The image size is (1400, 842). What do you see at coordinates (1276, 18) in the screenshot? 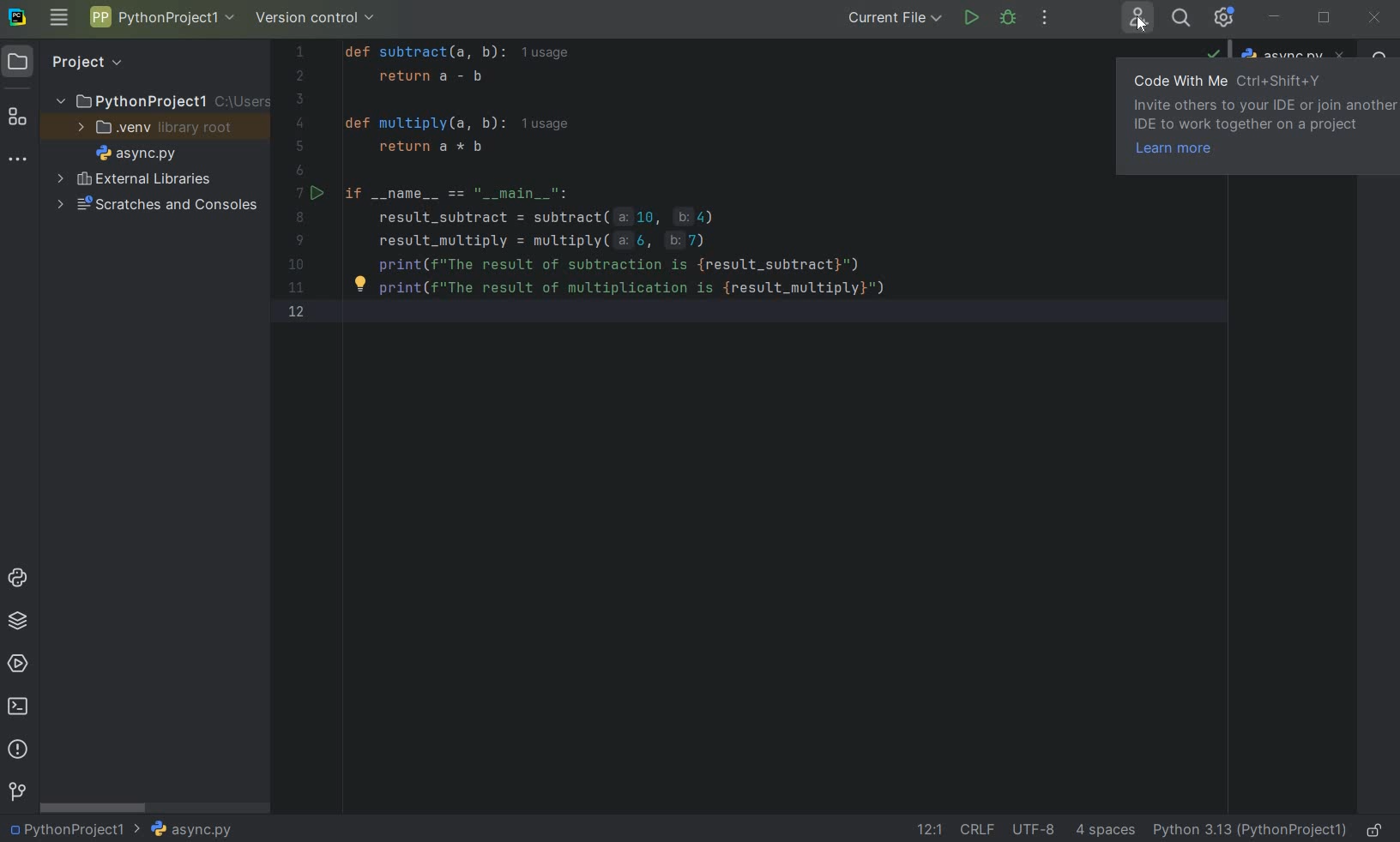
I see `MINIMIZE` at bounding box center [1276, 18].